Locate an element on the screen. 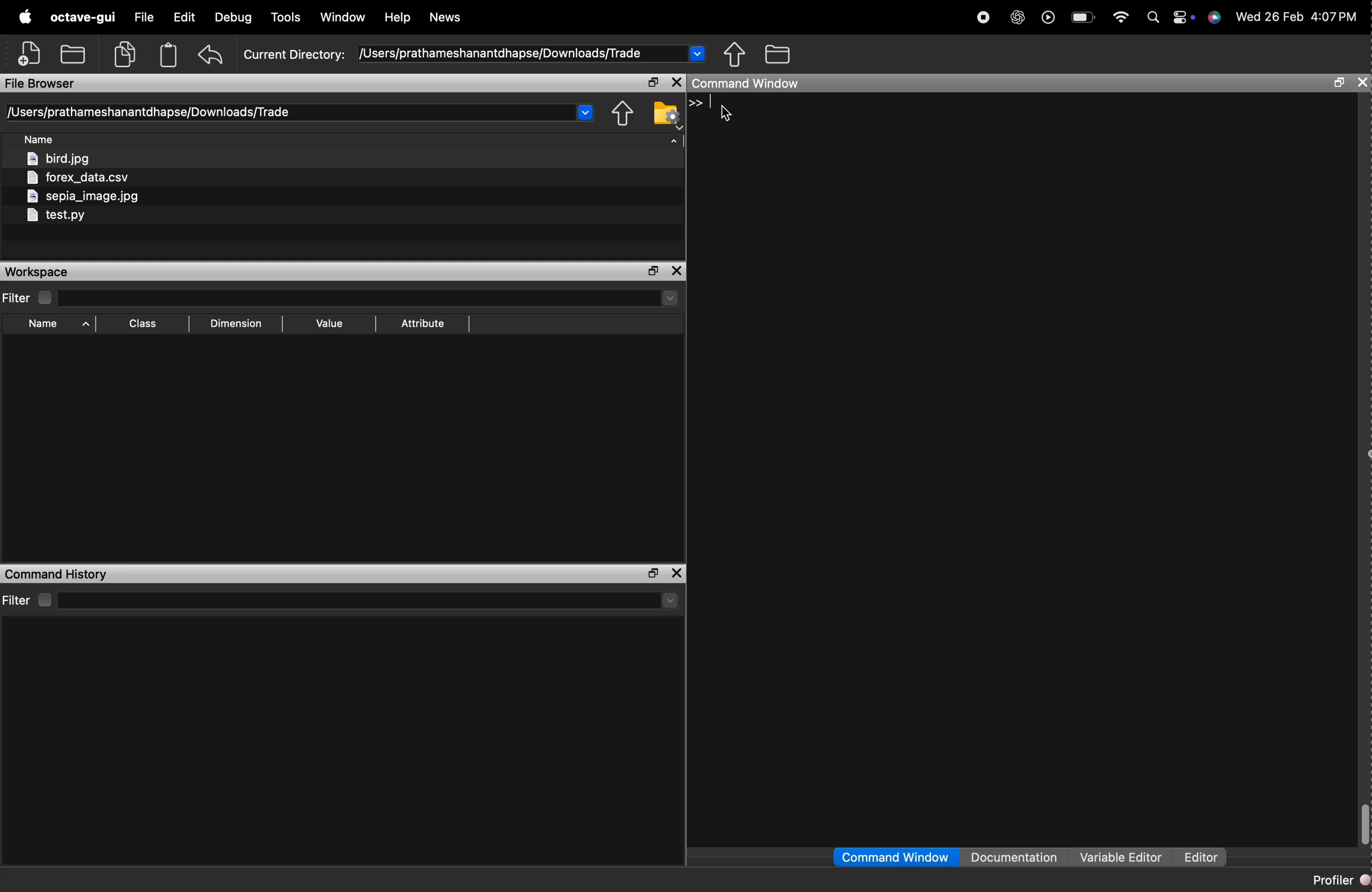 The width and height of the screenshot is (1372, 892). copy is located at coordinates (124, 55).